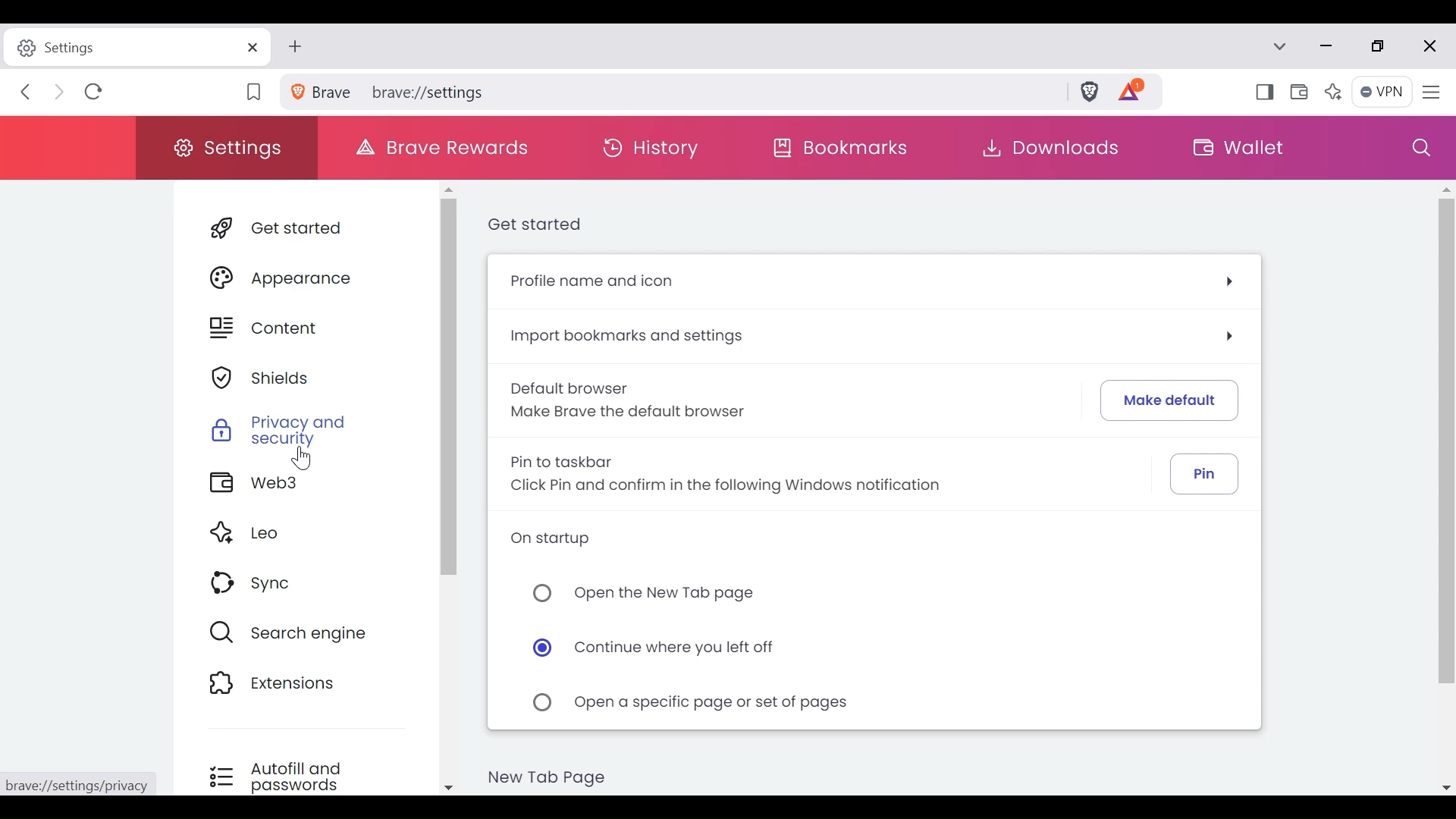  Describe the element at coordinates (670, 650) in the screenshot. I see `Enable/Disable Continue where you left off ` at that location.